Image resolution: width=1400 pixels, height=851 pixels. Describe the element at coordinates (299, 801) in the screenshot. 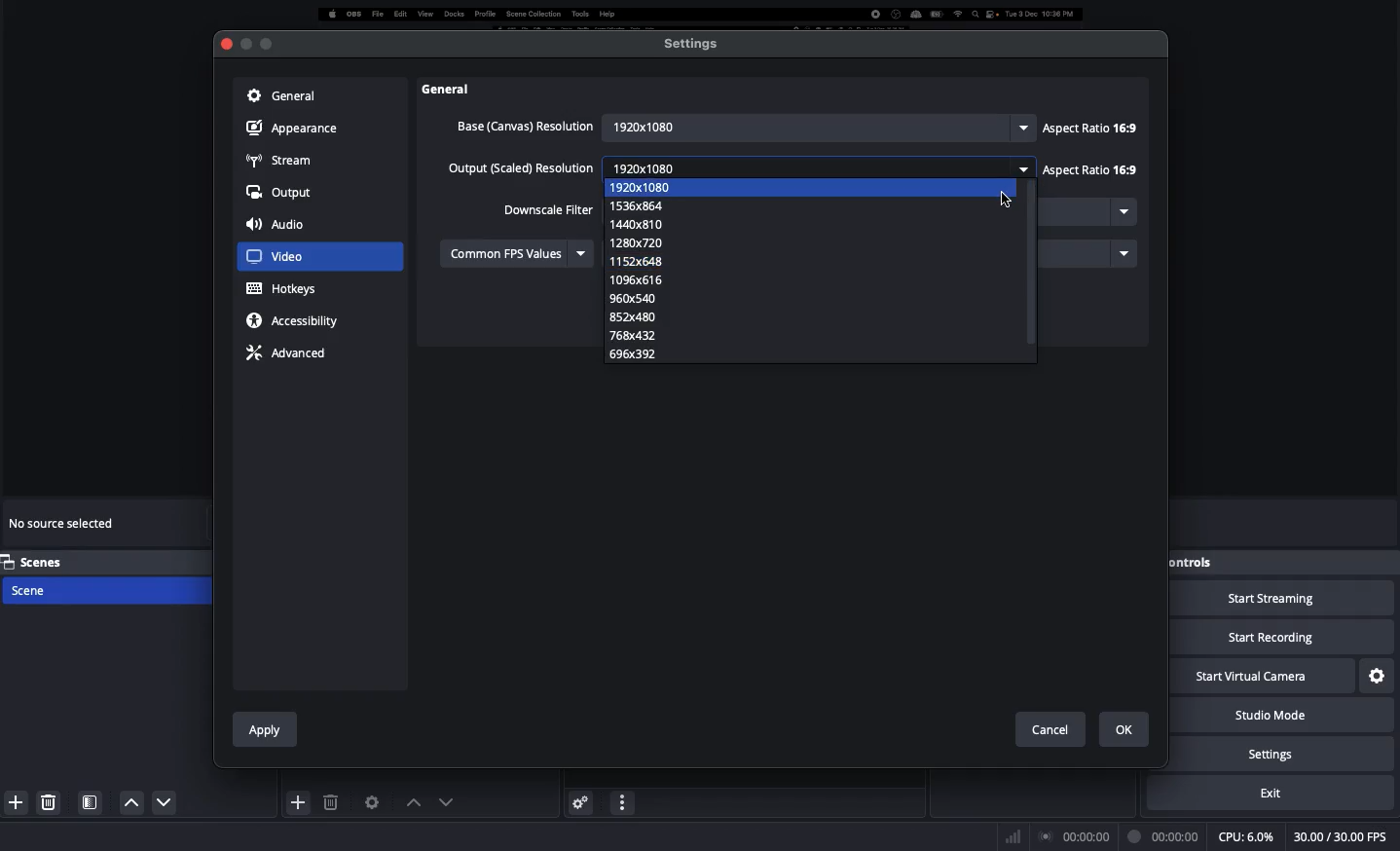

I see `Add` at that location.